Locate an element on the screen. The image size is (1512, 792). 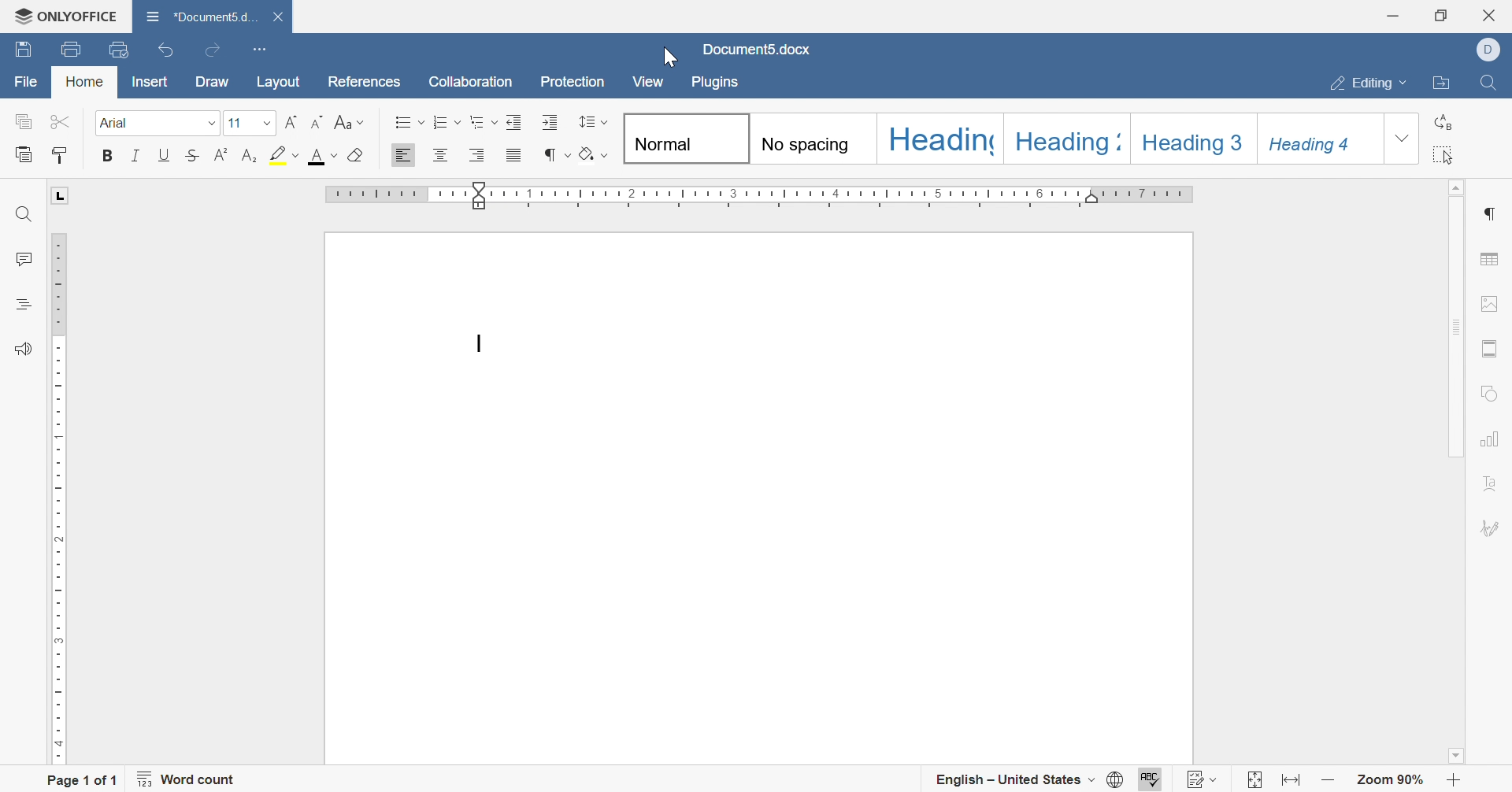
image settings is located at coordinates (1491, 301).